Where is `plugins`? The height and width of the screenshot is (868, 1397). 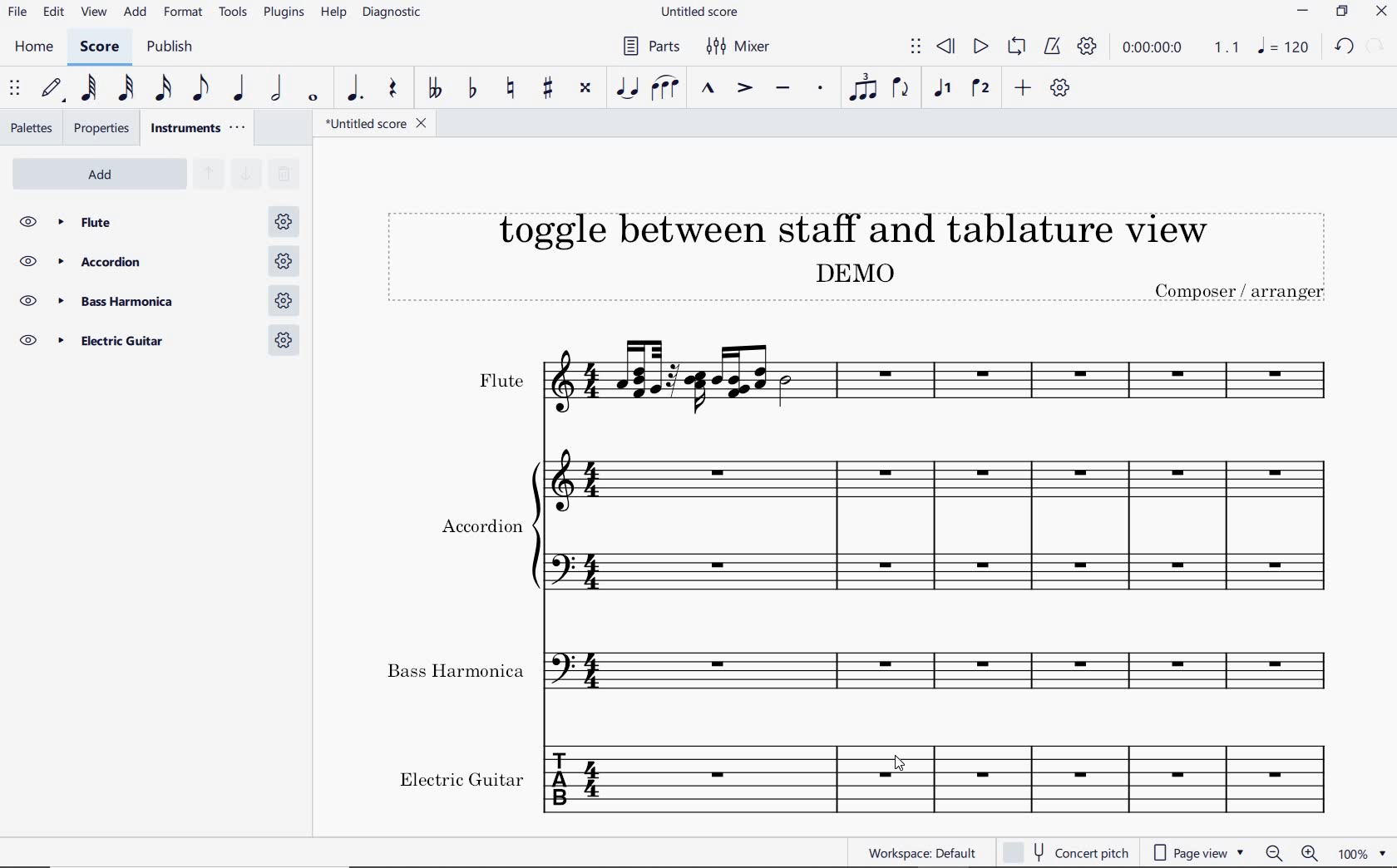 plugins is located at coordinates (284, 13).